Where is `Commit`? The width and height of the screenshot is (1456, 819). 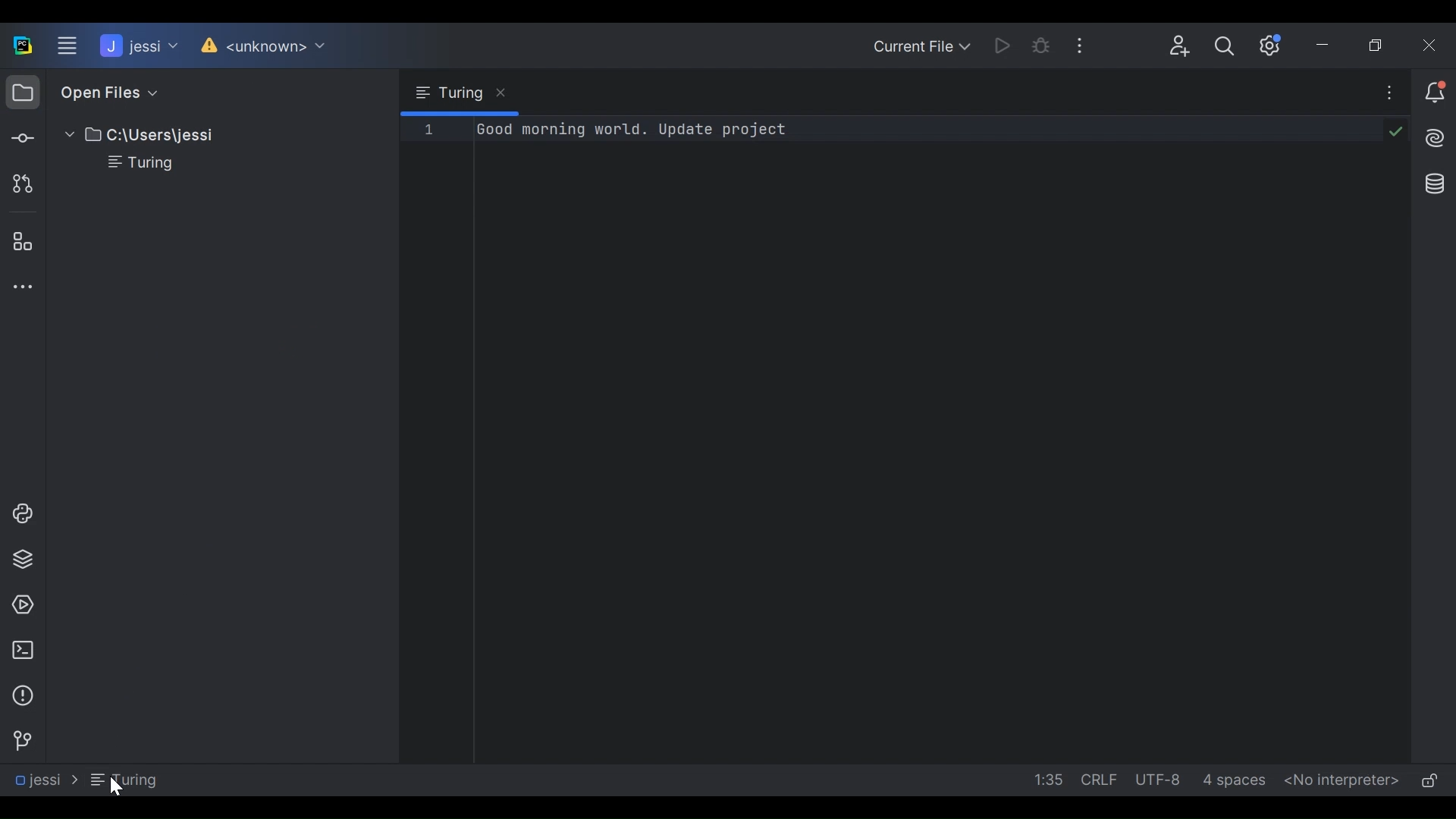 Commit is located at coordinates (21, 136).